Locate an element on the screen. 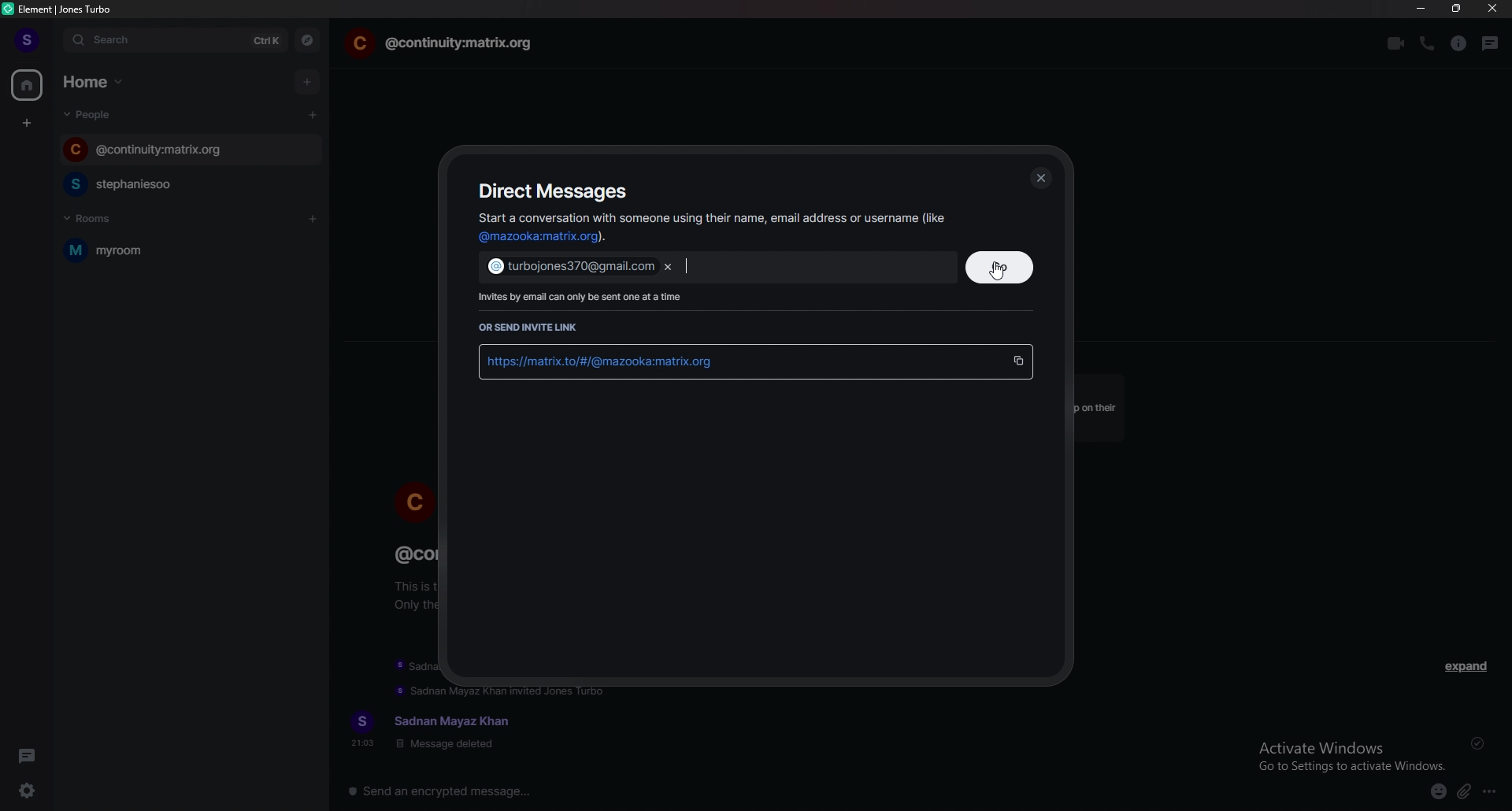 This screenshot has height=811, width=1512. link is located at coordinates (603, 362).